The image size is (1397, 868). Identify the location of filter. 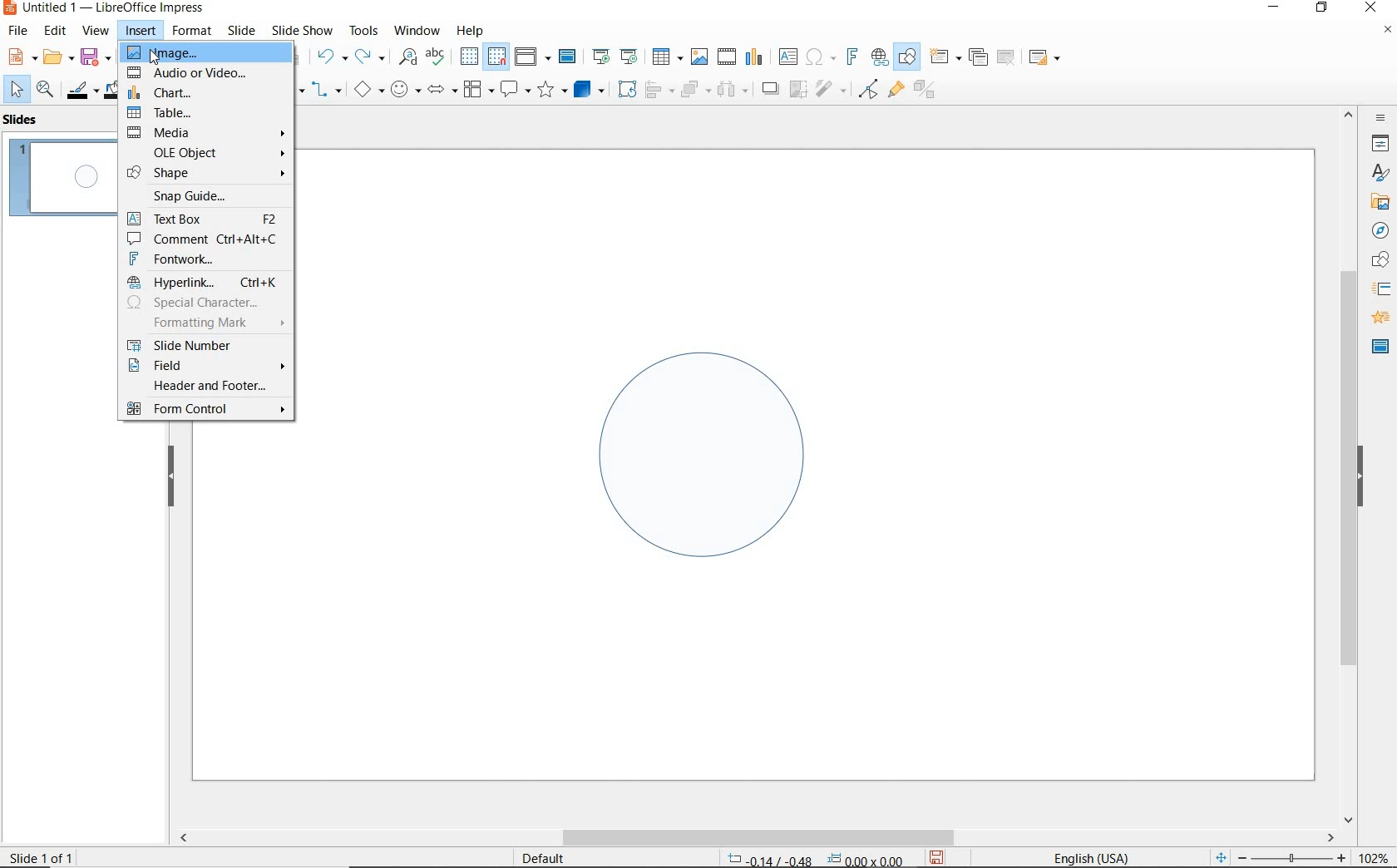
(832, 86).